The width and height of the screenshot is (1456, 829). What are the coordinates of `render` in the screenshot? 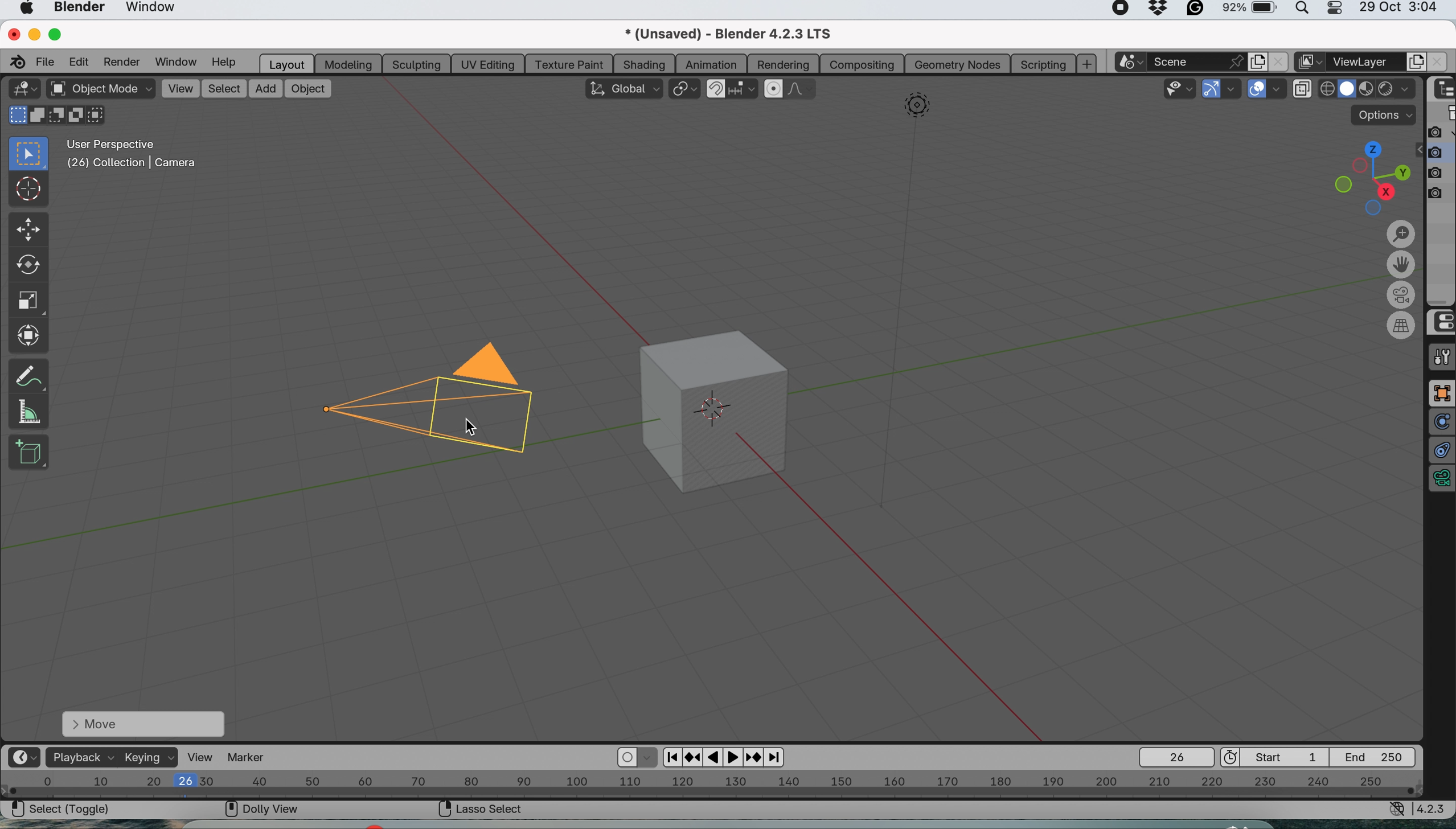 It's located at (121, 62).